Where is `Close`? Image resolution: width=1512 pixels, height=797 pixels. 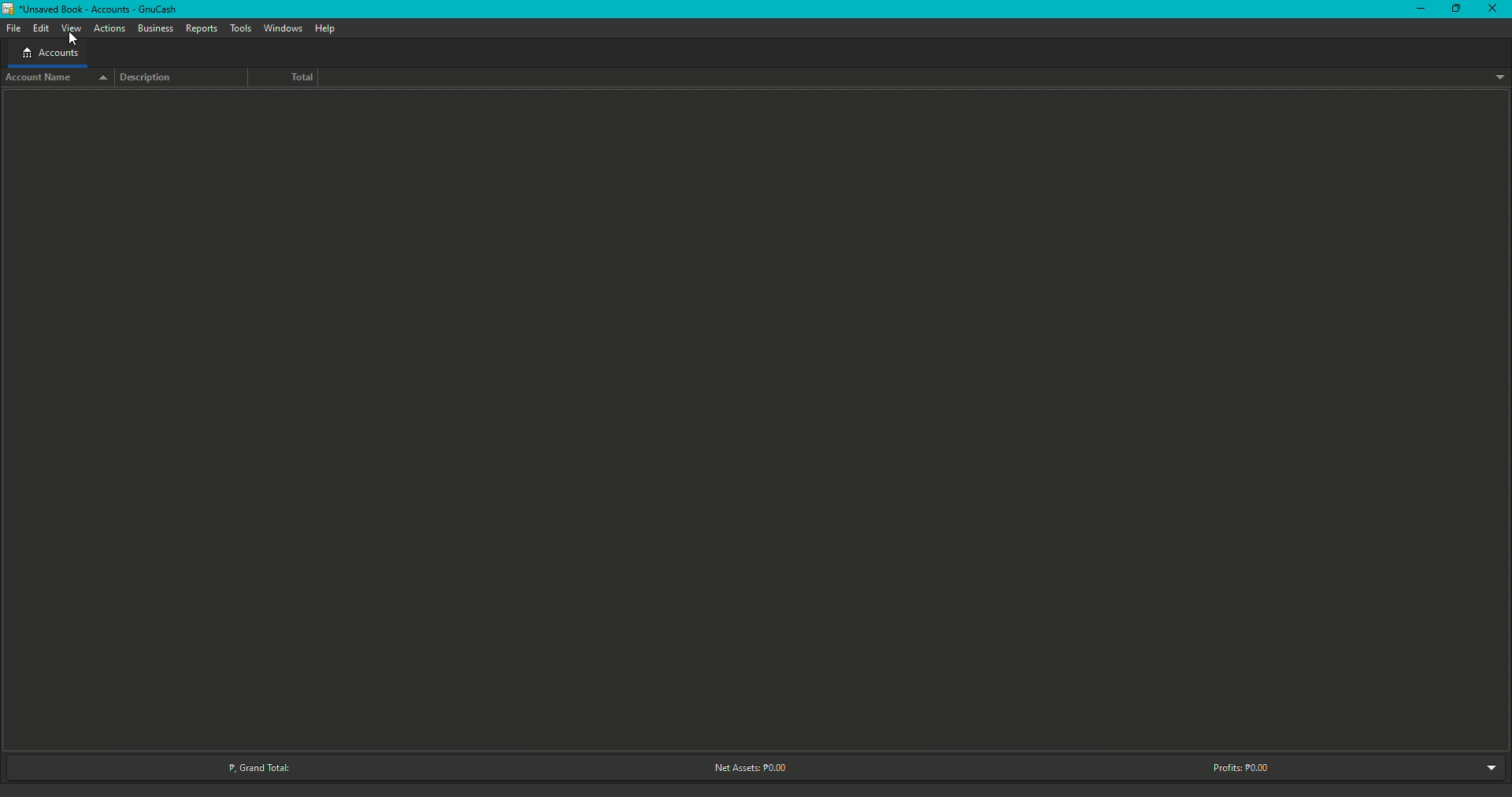
Close is located at coordinates (1487, 8).